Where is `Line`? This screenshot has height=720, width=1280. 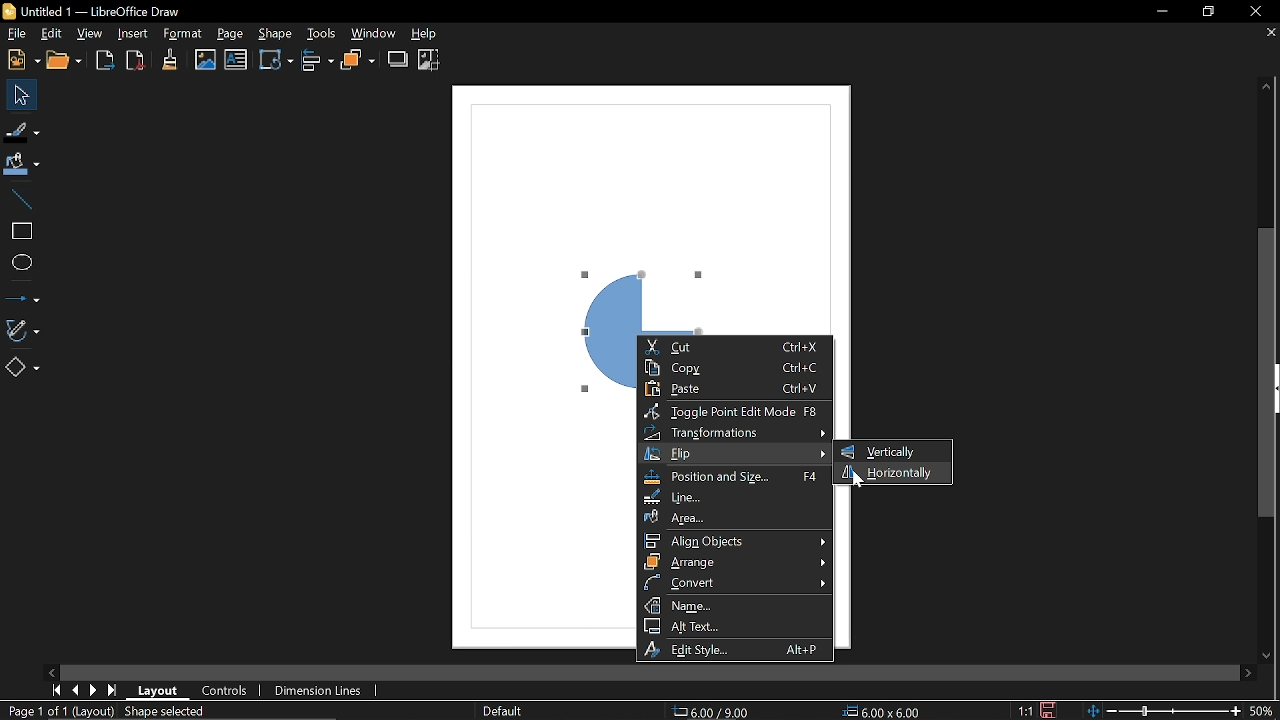
Line is located at coordinates (22, 199).